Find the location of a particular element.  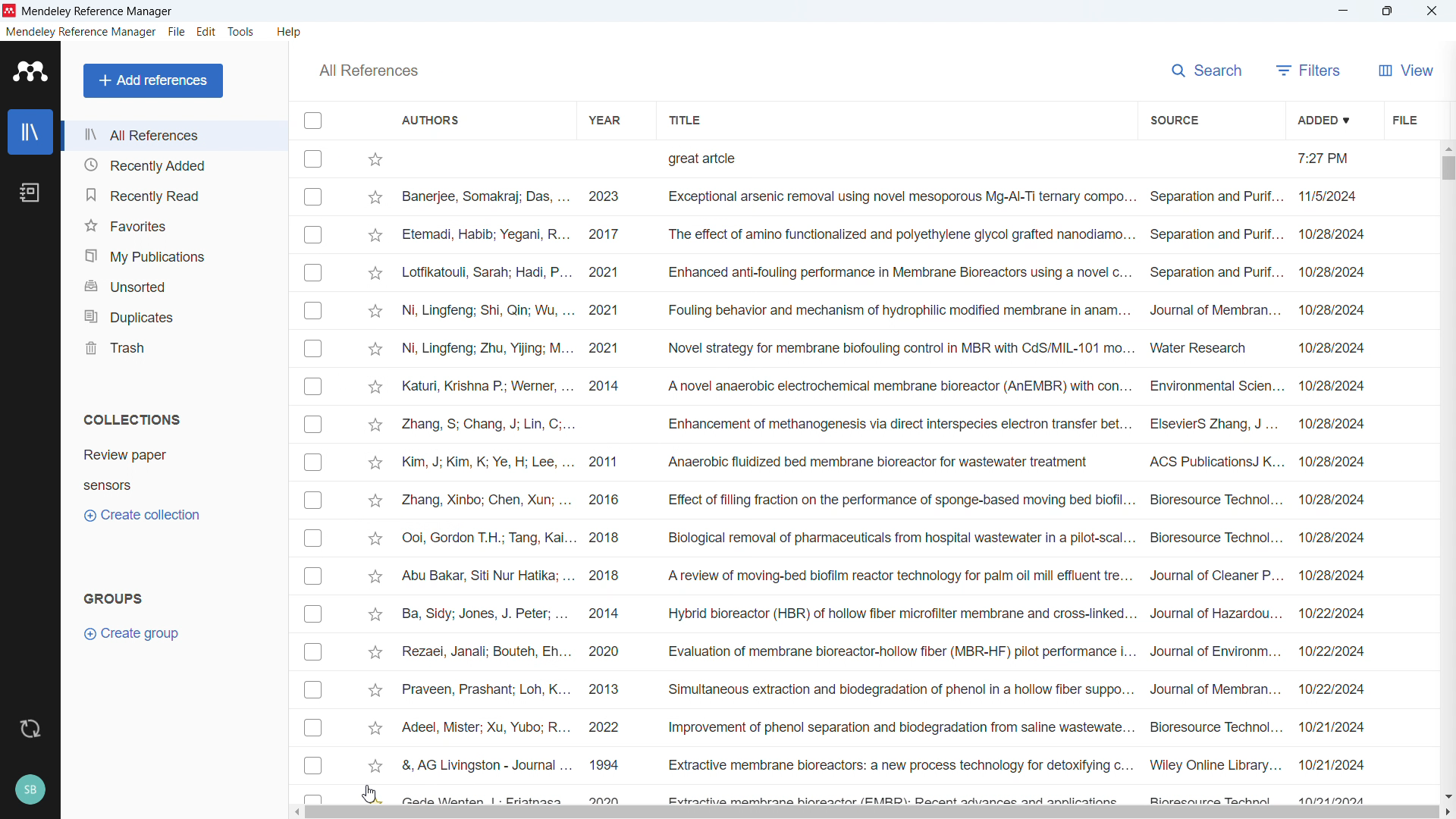

Duplicates  is located at coordinates (174, 315).